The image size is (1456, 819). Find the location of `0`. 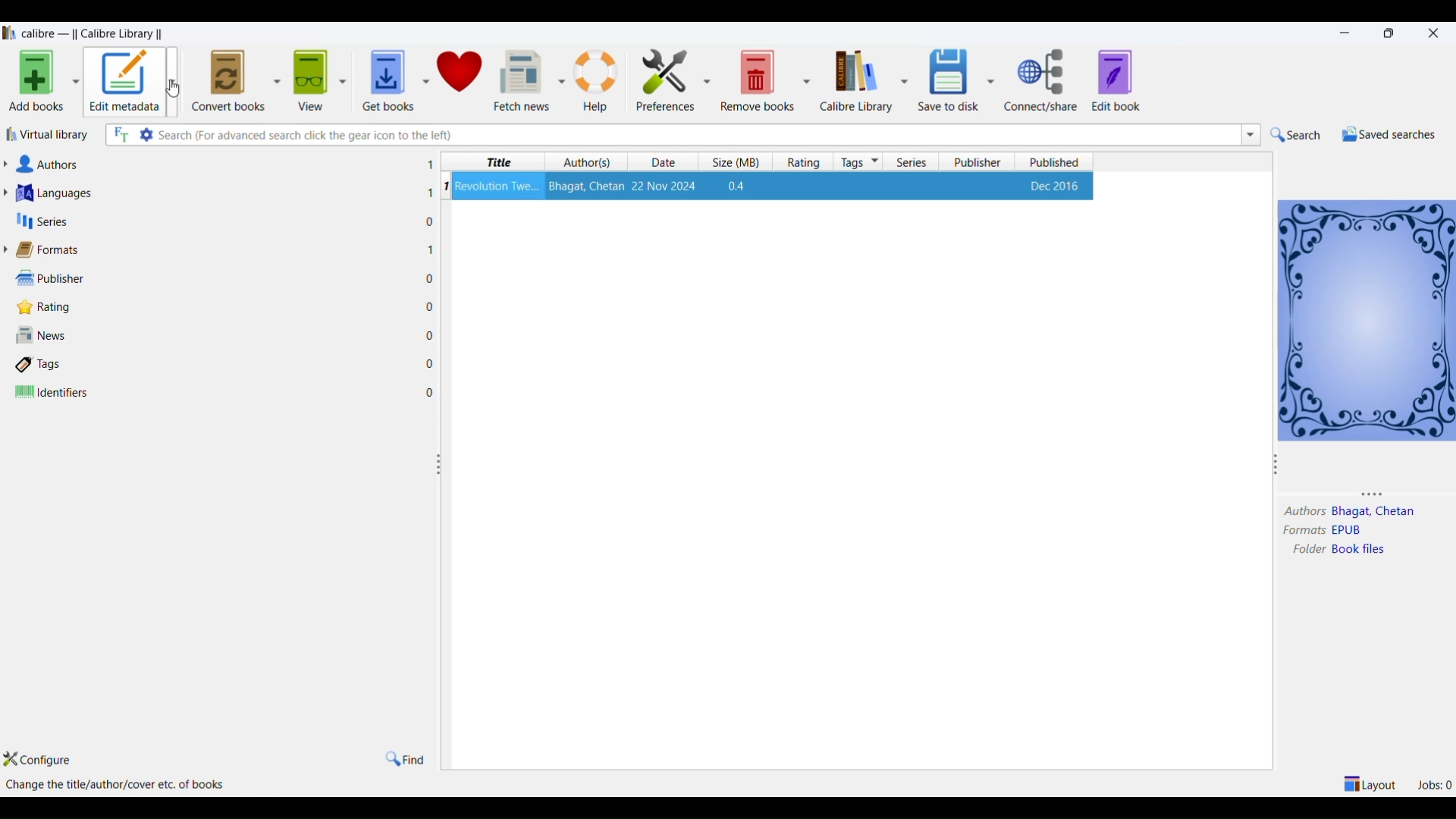

0 is located at coordinates (429, 334).